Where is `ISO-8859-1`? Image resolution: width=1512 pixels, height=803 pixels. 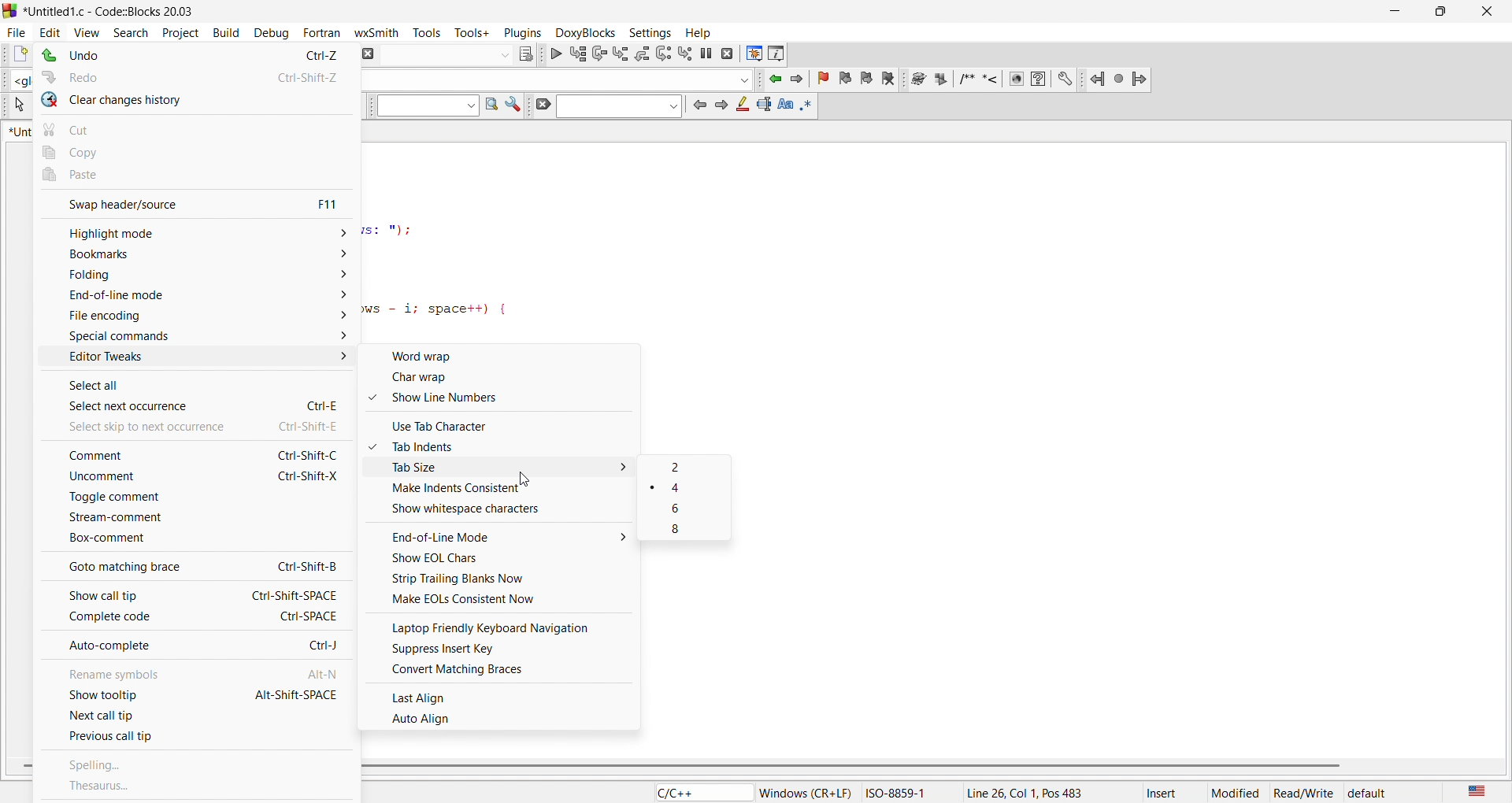
ISO-8859-1 is located at coordinates (906, 791).